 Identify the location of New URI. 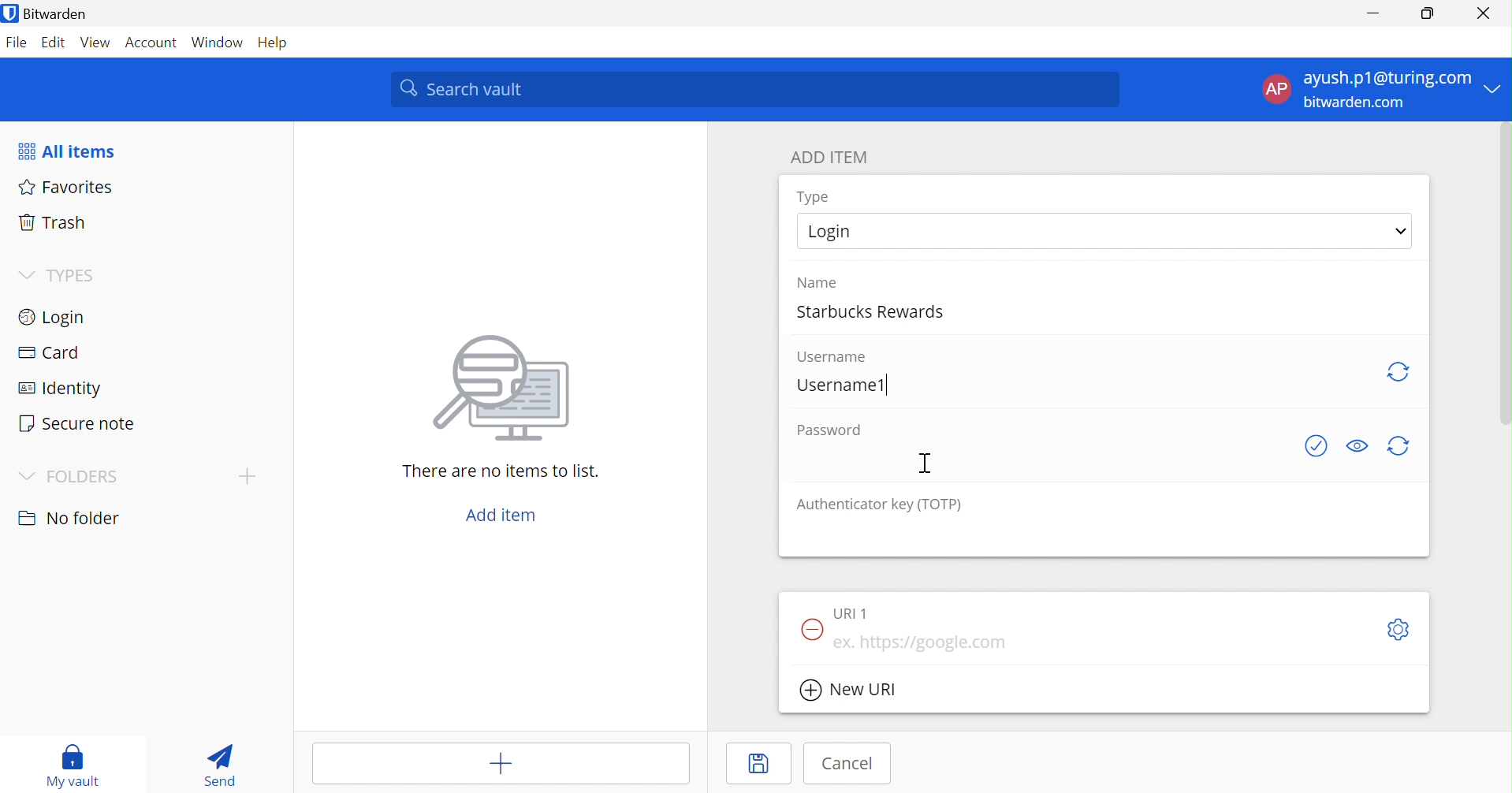
(849, 692).